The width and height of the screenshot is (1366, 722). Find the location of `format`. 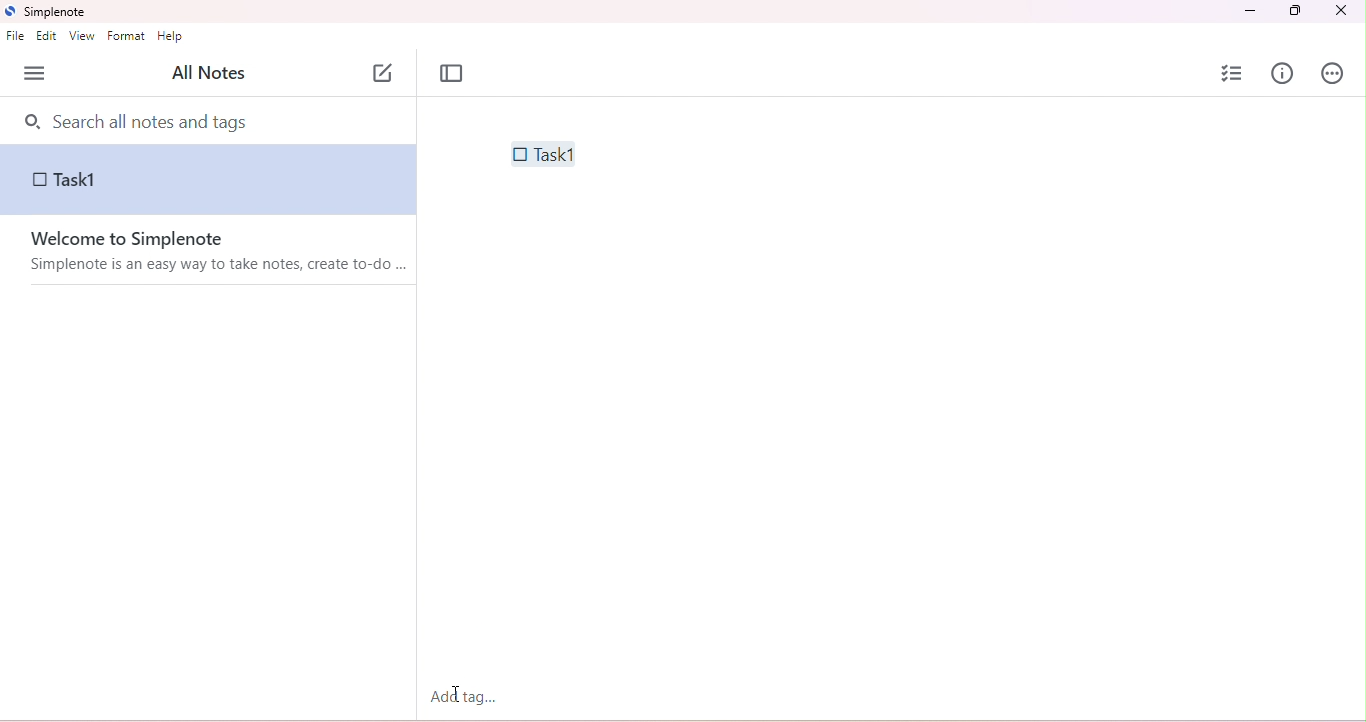

format is located at coordinates (129, 37).